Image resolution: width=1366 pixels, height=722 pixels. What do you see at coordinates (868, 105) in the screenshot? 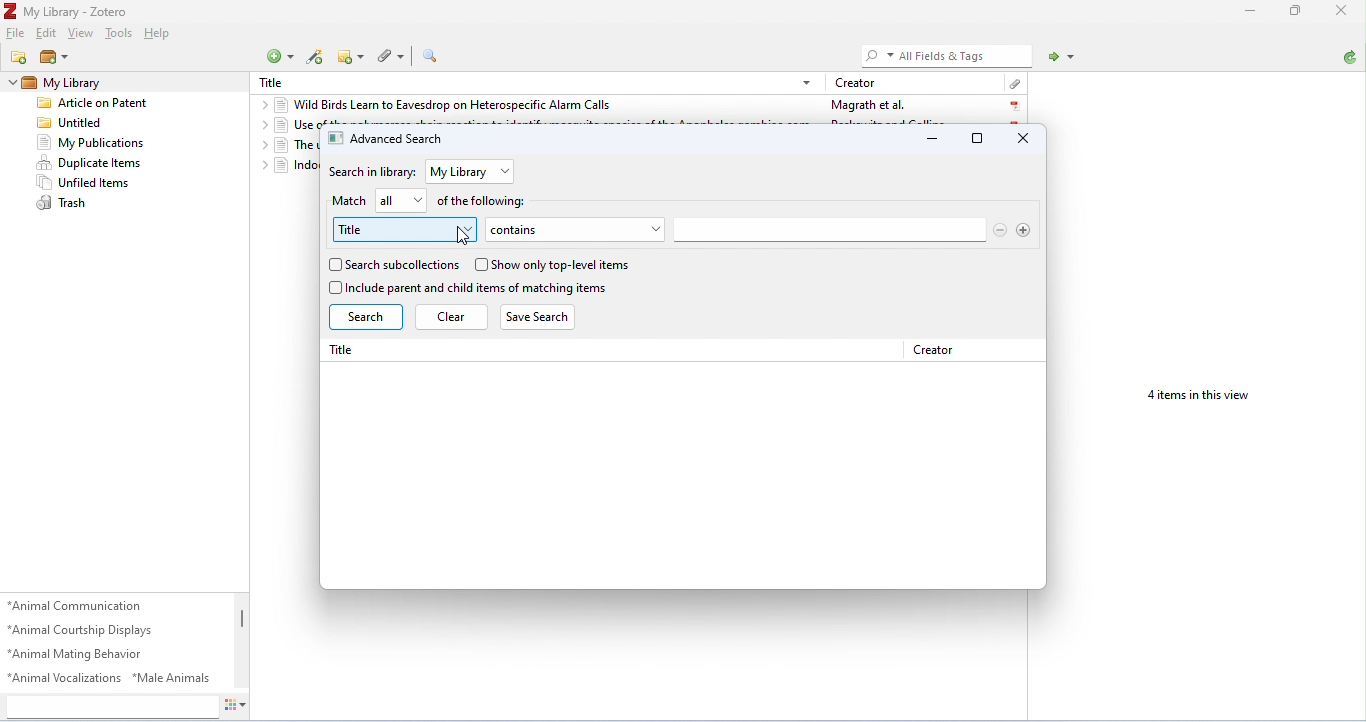
I see `Magrath et al.` at bounding box center [868, 105].